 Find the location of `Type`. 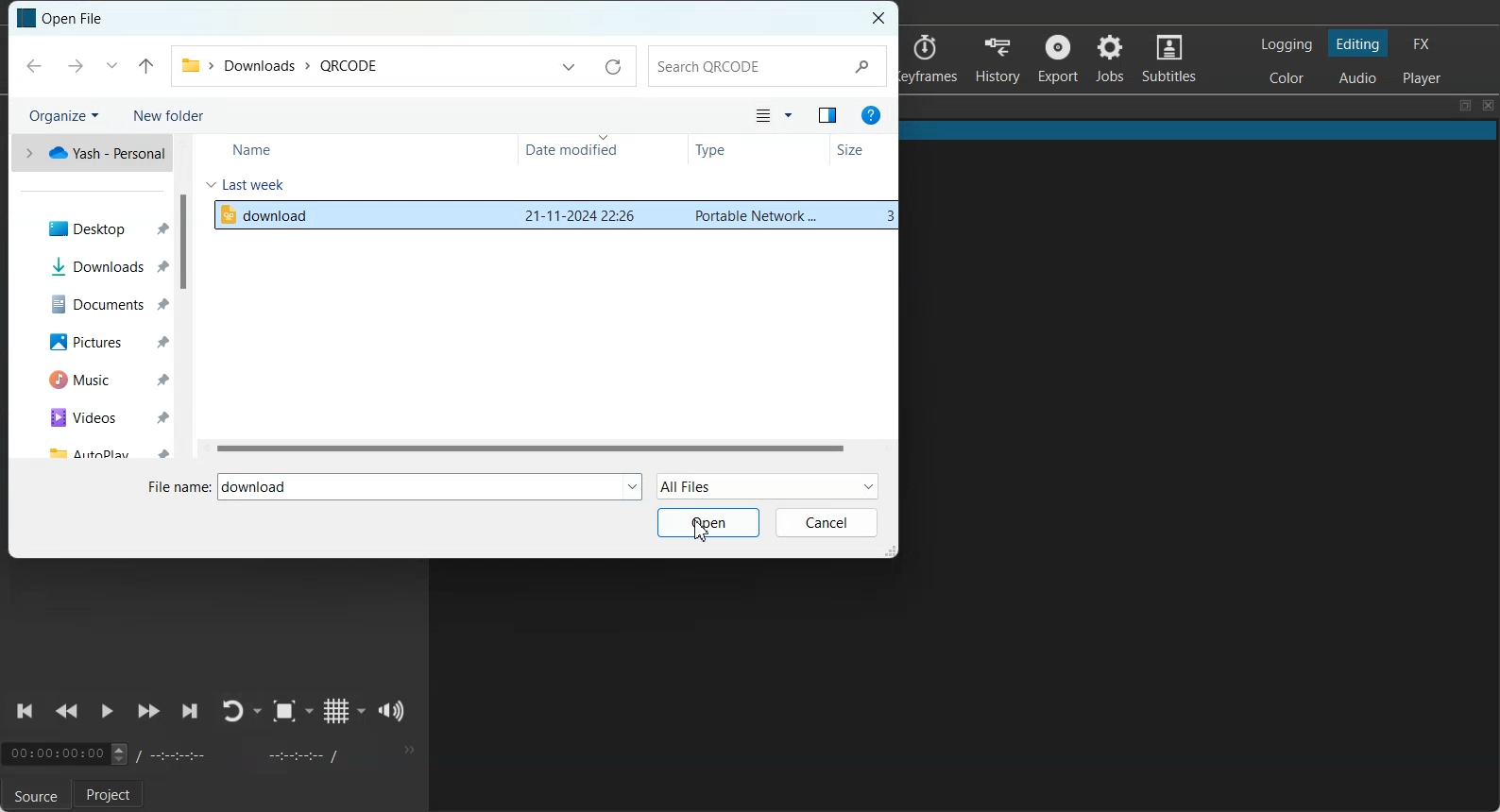

Type is located at coordinates (731, 148).